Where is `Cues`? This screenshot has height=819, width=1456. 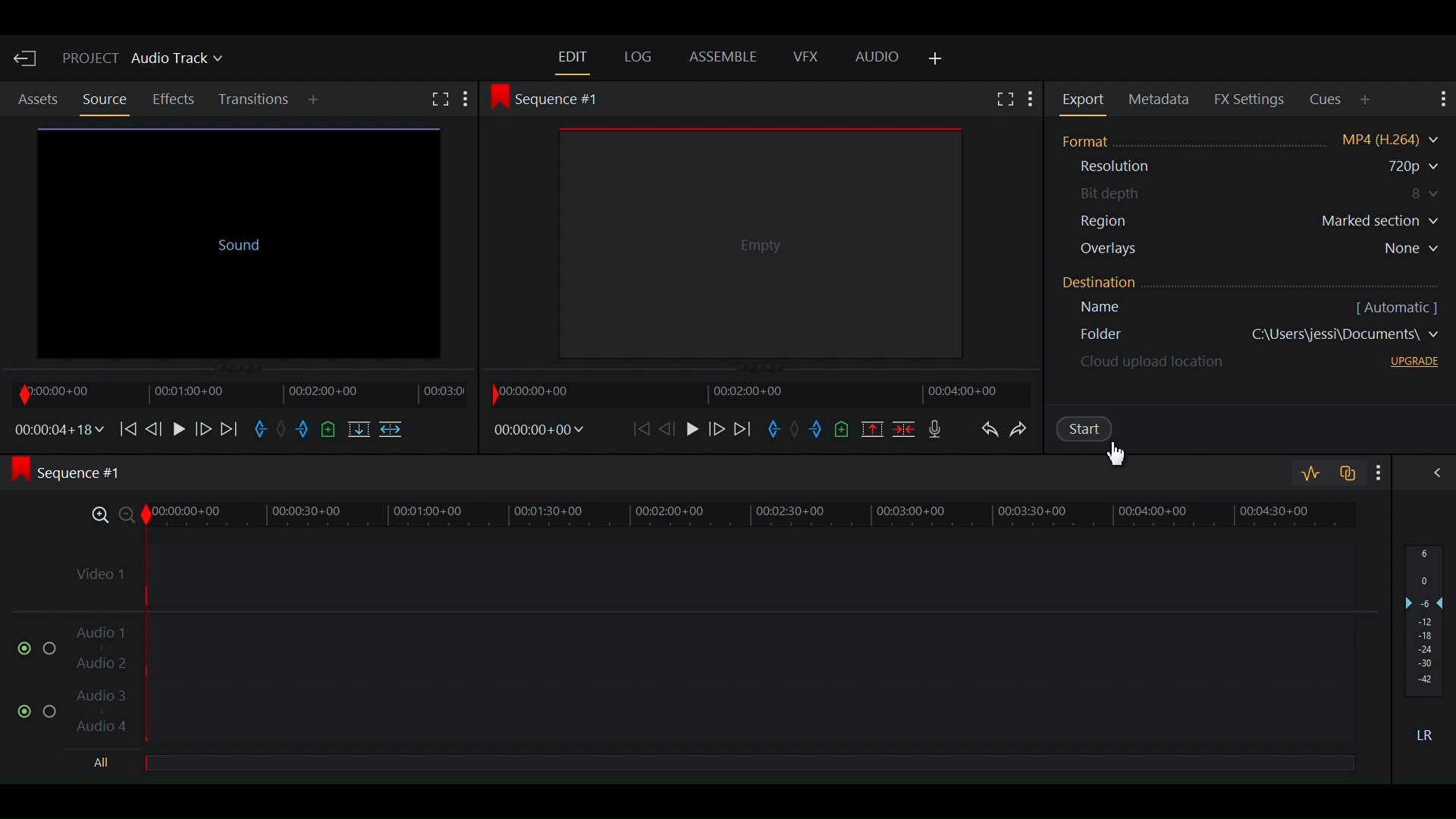 Cues is located at coordinates (1327, 100).